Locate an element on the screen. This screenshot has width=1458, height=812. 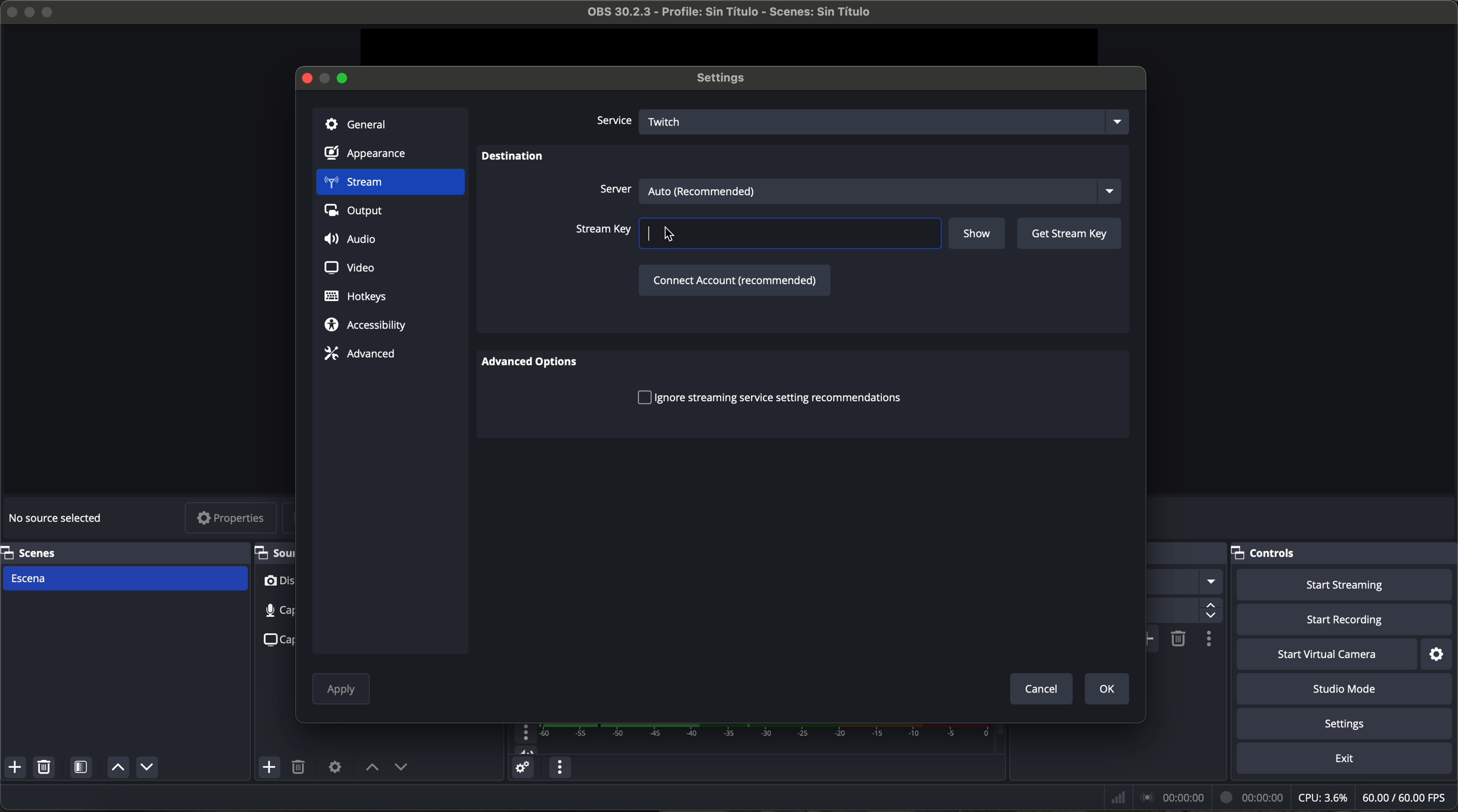
add configurable transition is located at coordinates (1153, 639).